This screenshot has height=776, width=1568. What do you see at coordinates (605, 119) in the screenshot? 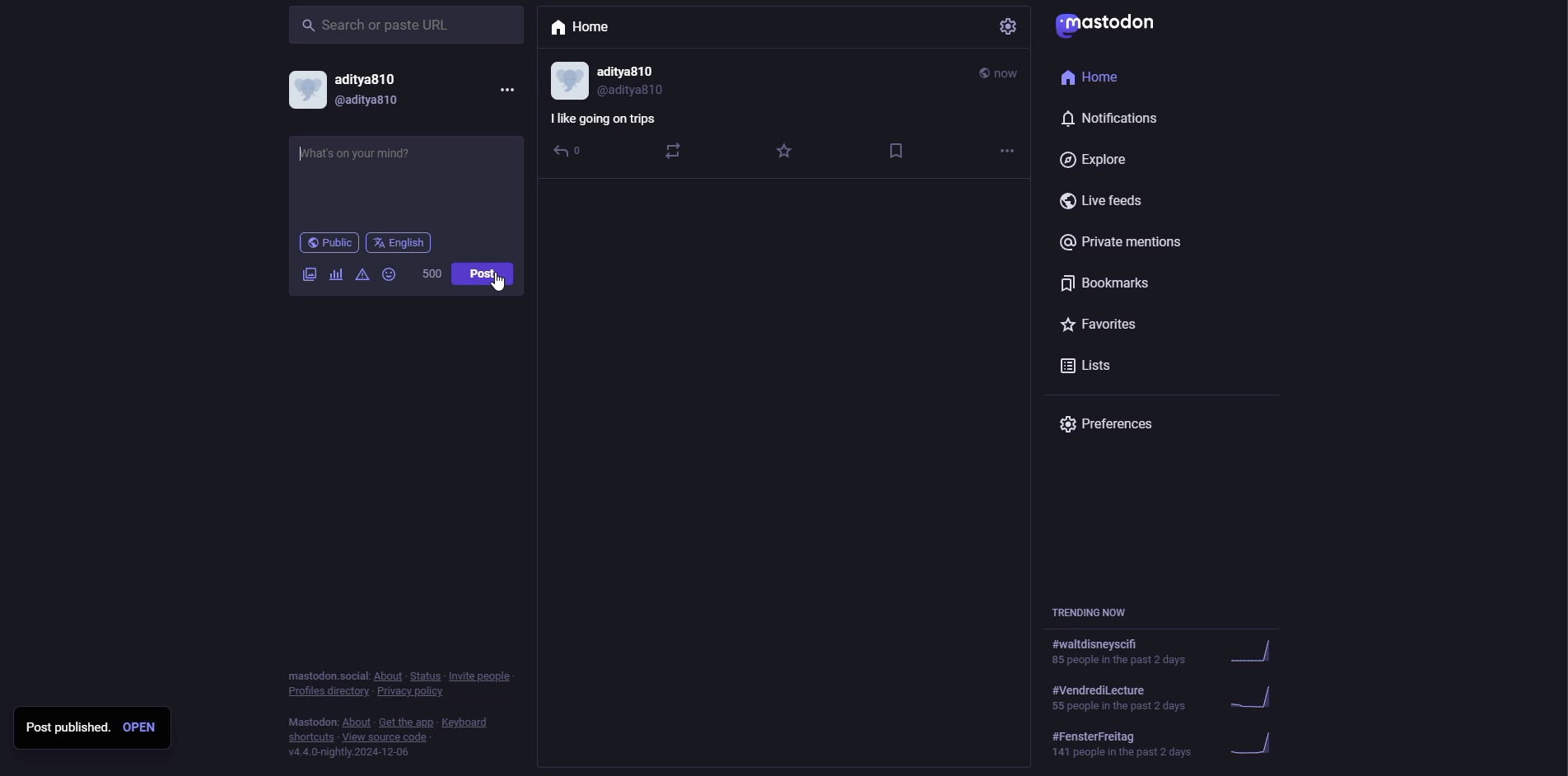
I see `fun fact` at bounding box center [605, 119].